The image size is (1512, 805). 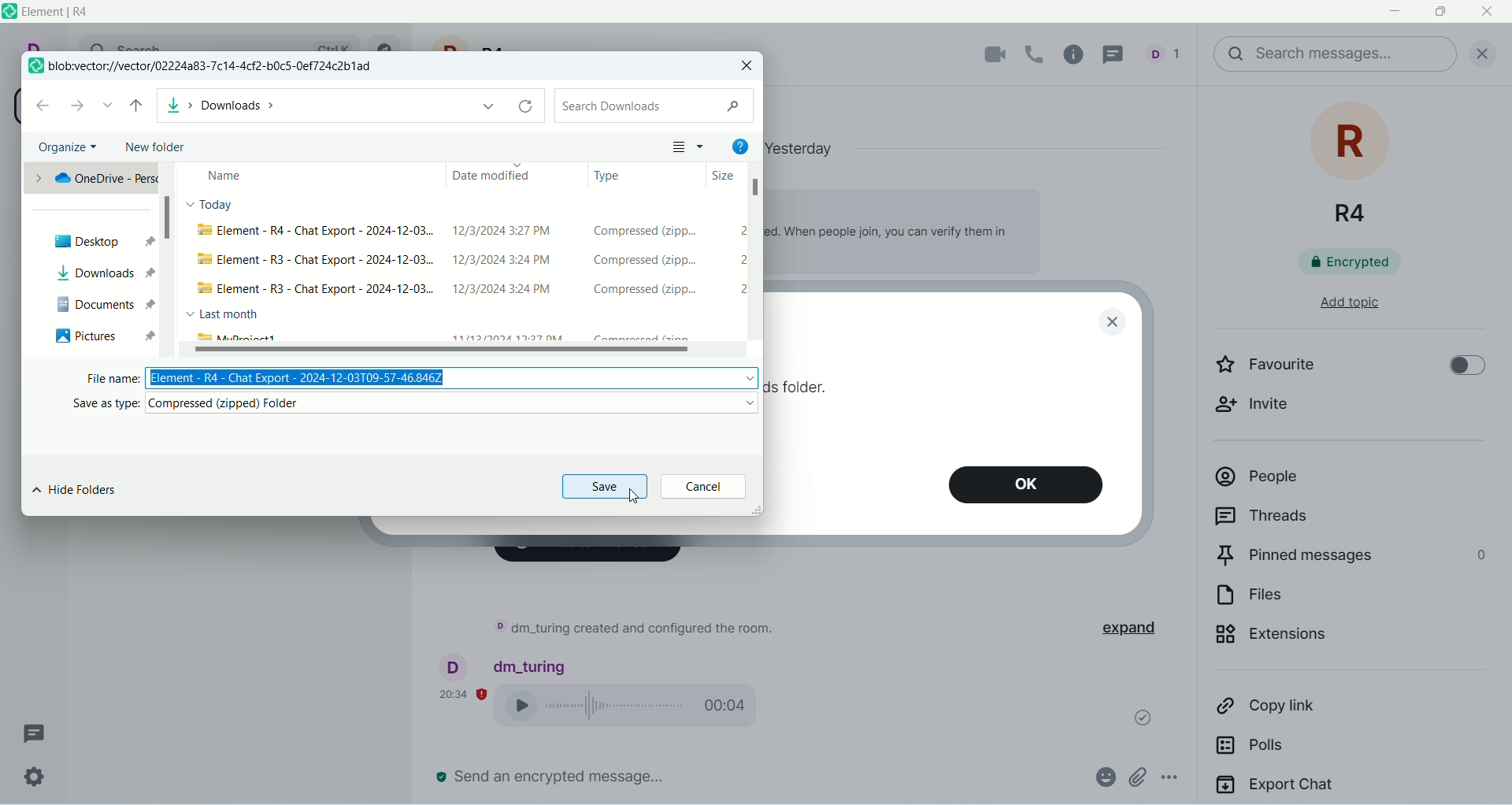 What do you see at coordinates (986, 55) in the screenshot?
I see `video call` at bounding box center [986, 55].